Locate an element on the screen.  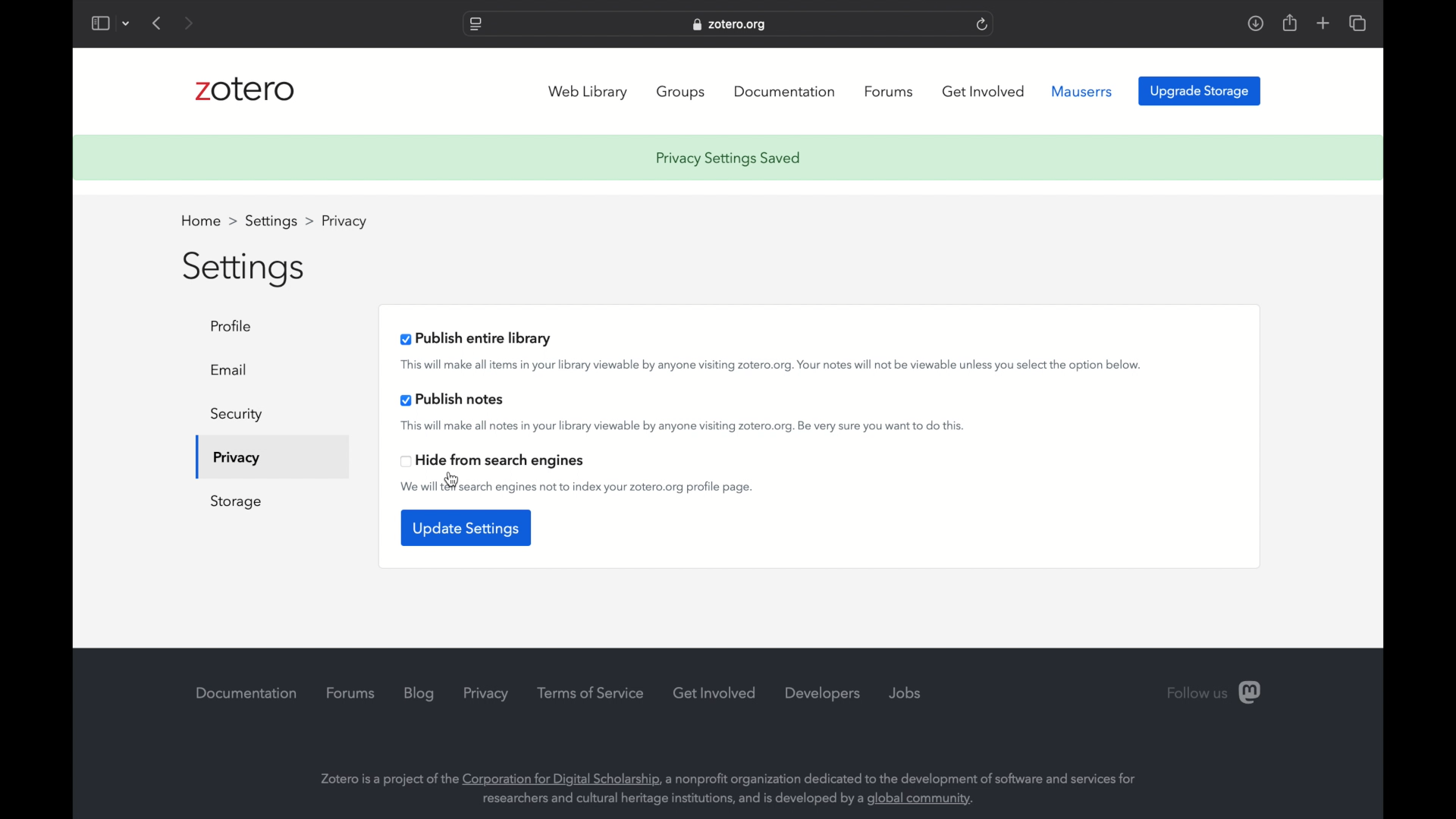
blog is located at coordinates (423, 691).